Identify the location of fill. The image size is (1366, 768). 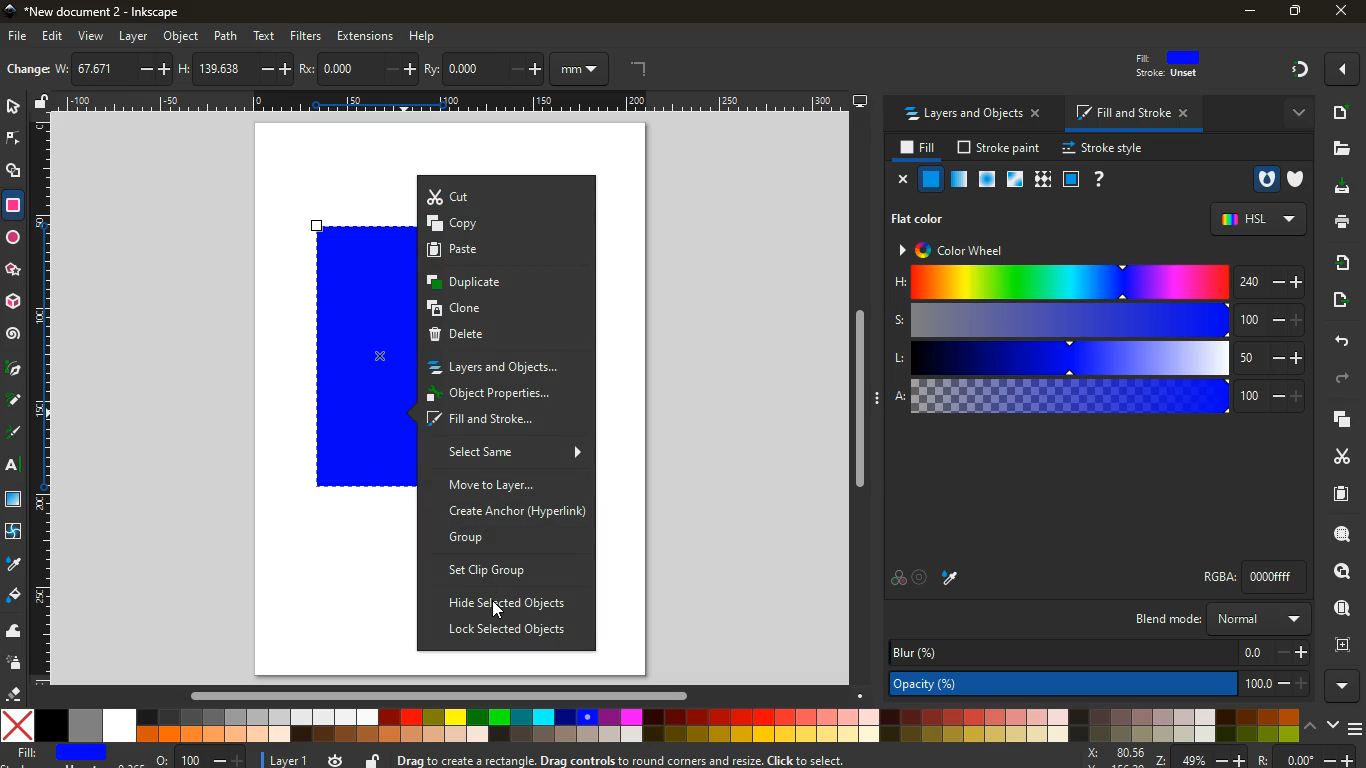
(64, 754).